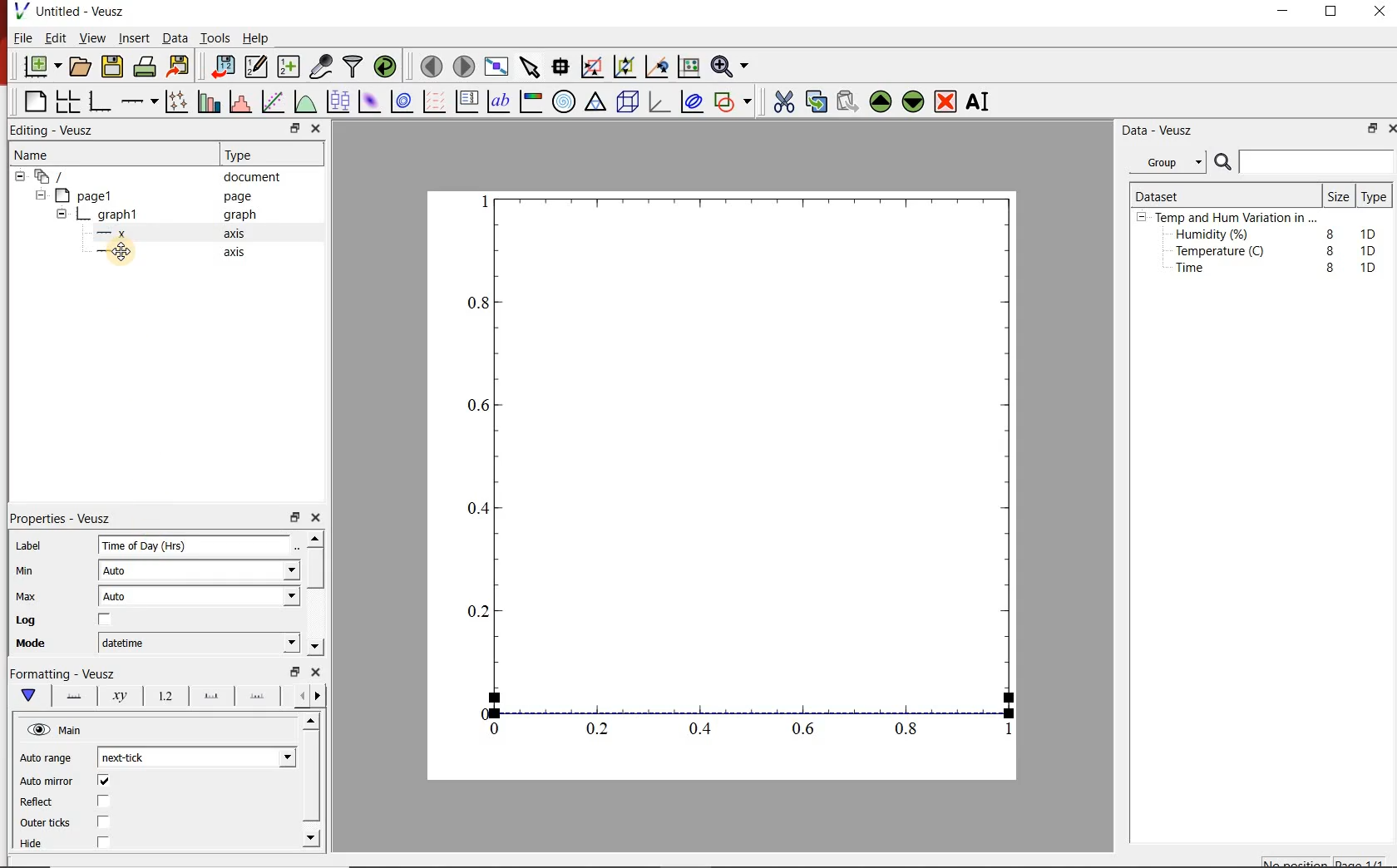 The image size is (1397, 868). What do you see at coordinates (120, 234) in the screenshot?
I see `x` at bounding box center [120, 234].